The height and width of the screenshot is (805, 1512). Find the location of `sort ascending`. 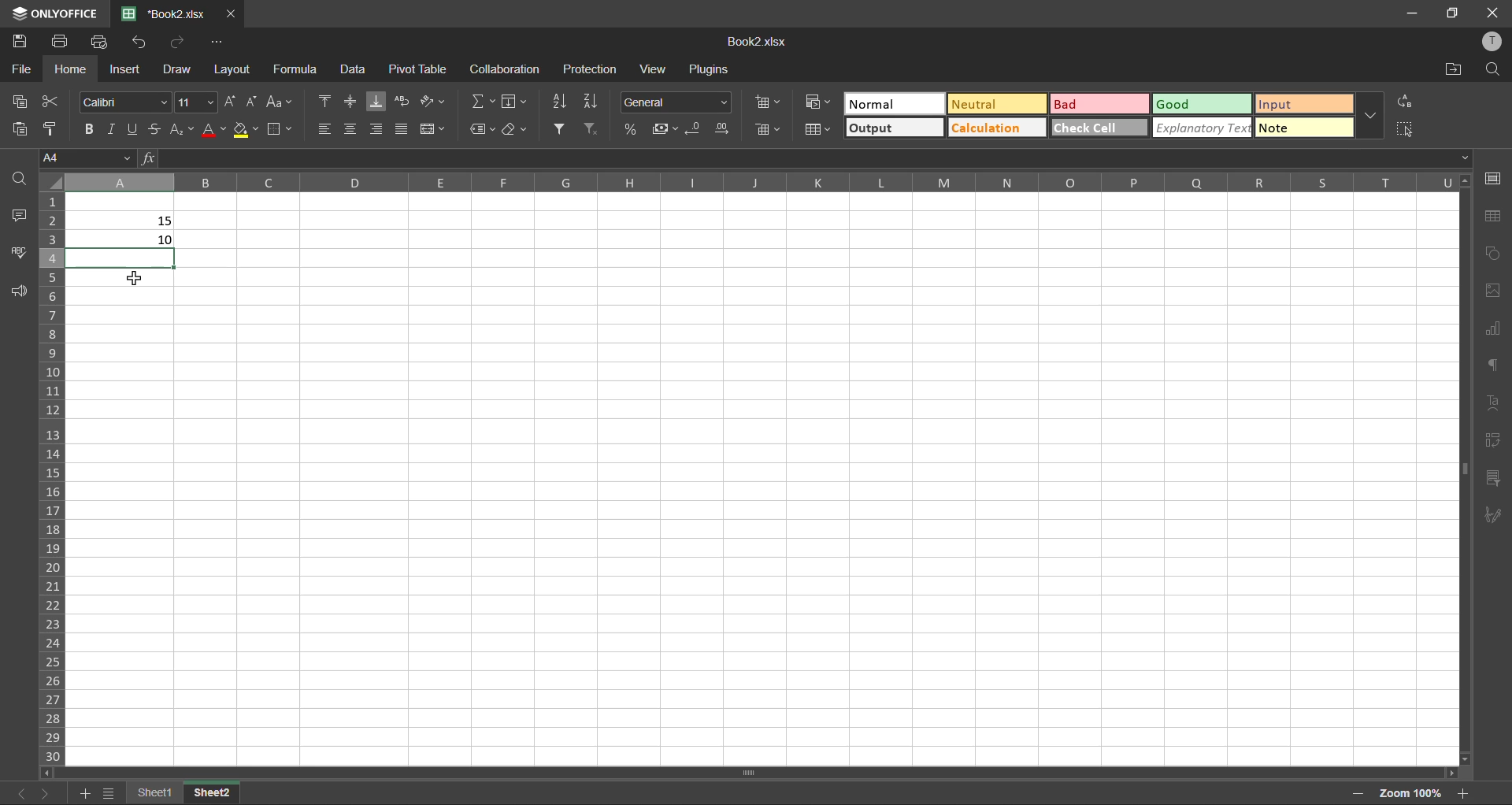

sort ascending is located at coordinates (557, 102).